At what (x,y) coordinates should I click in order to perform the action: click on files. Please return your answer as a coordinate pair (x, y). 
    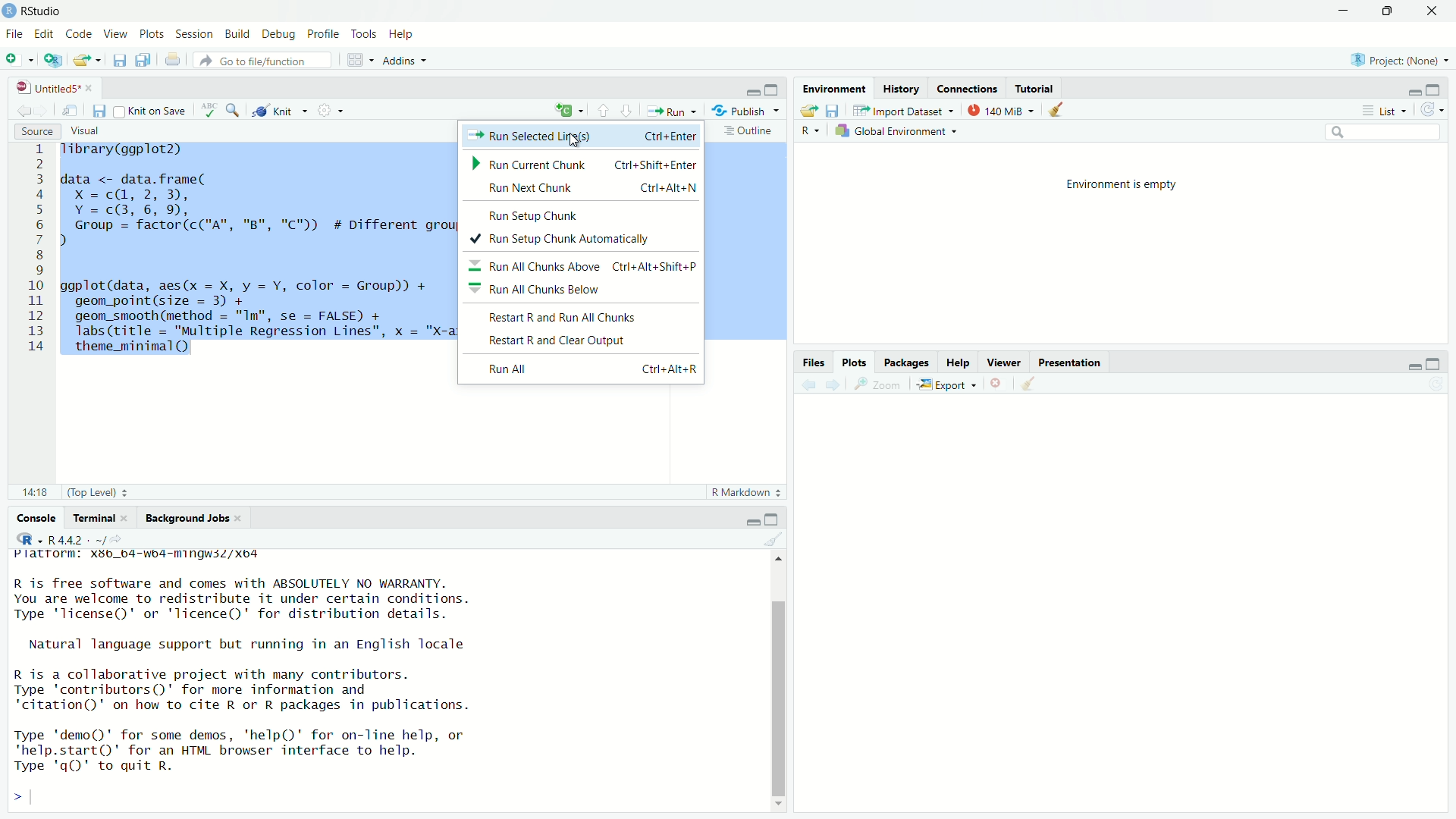
    Looking at the image, I should click on (140, 60).